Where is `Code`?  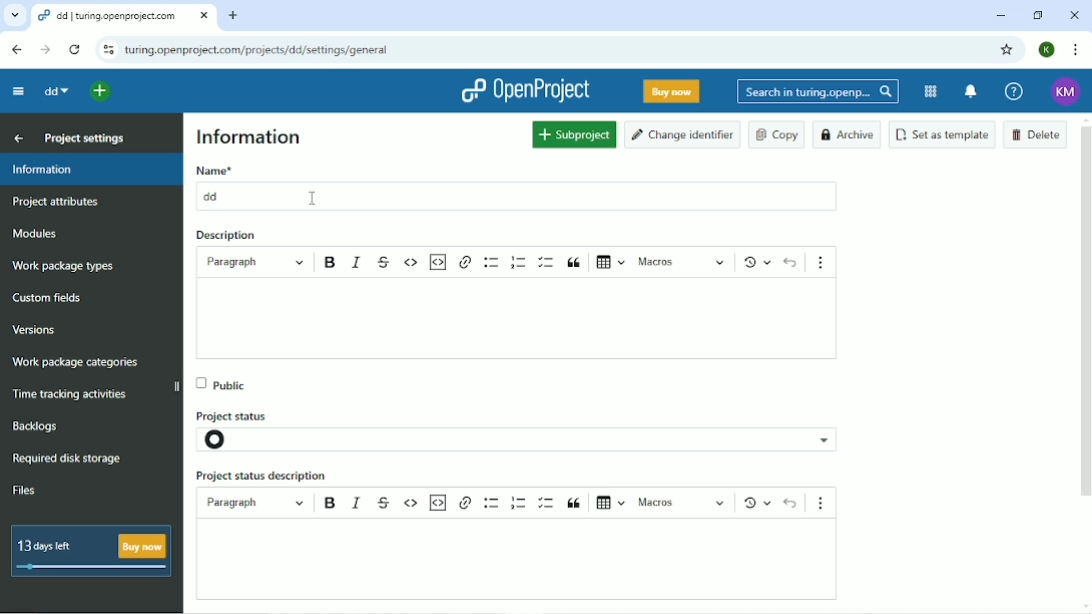 Code is located at coordinates (411, 264).